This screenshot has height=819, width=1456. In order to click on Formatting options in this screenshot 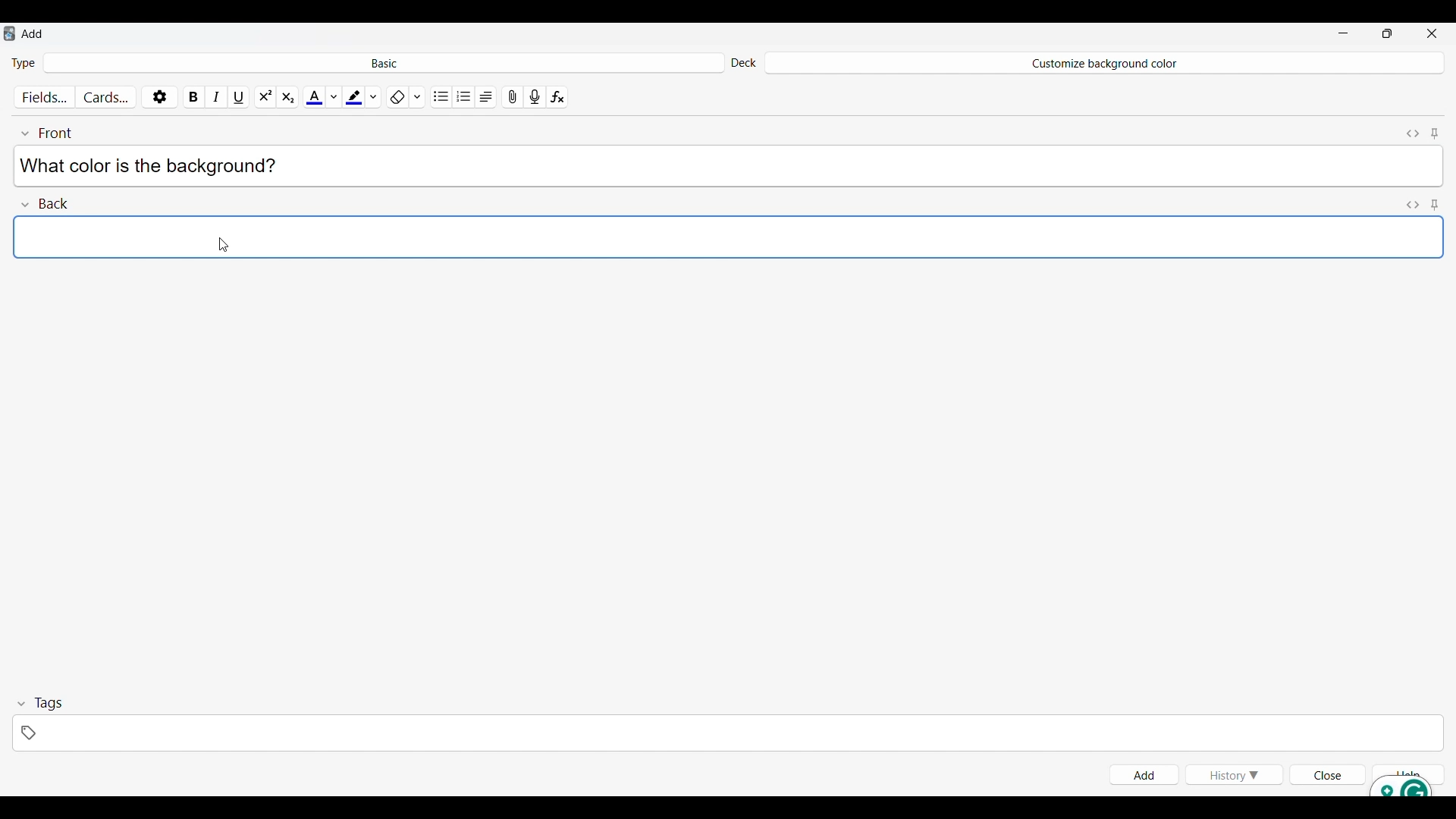, I will do `click(417, 94)`.